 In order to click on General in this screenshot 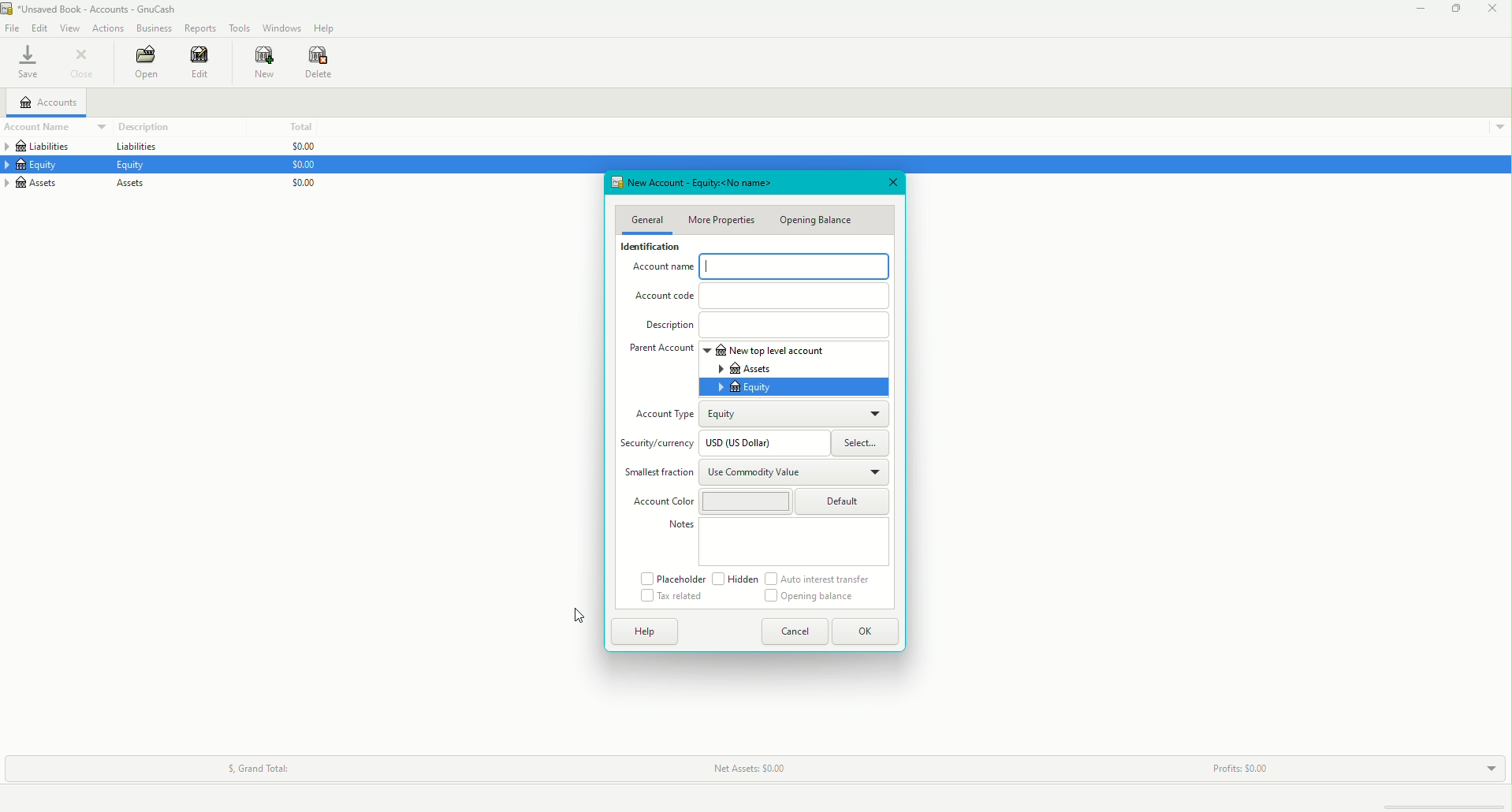, I will do `click(647, 220)`.